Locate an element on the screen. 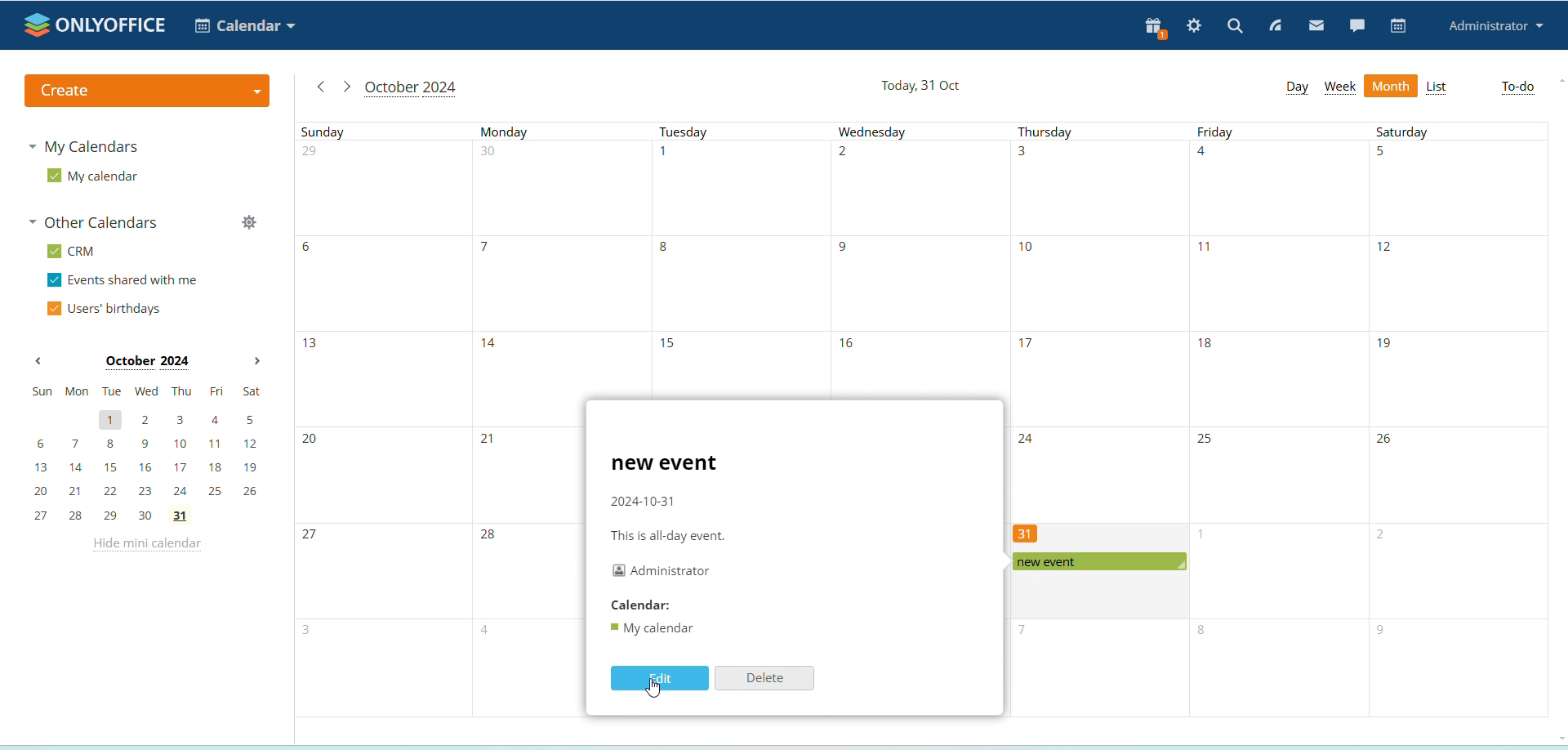  Sunday is located at coordinates (384, 419).